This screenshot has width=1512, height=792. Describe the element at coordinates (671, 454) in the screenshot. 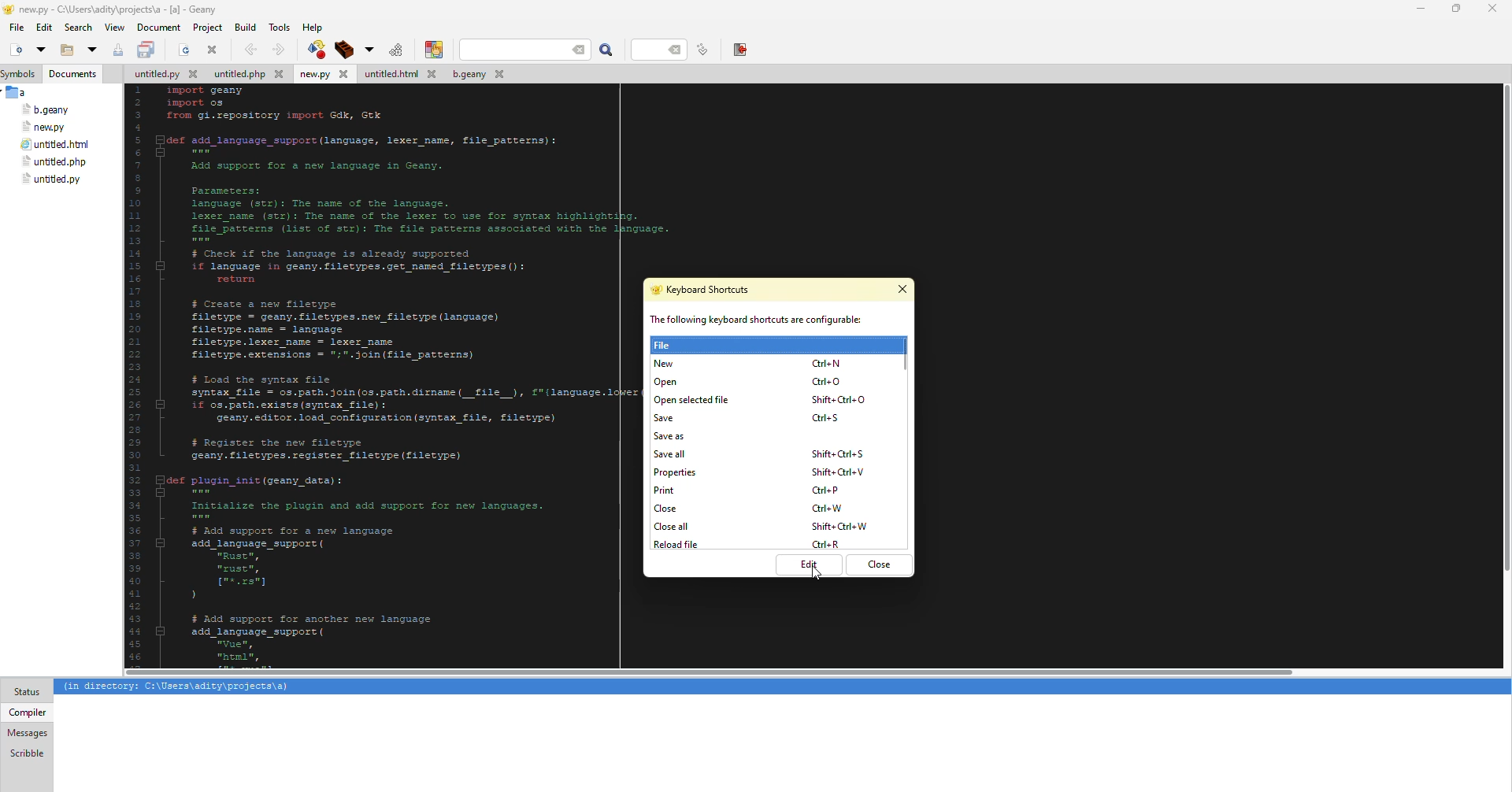

I see `save all` at that location.